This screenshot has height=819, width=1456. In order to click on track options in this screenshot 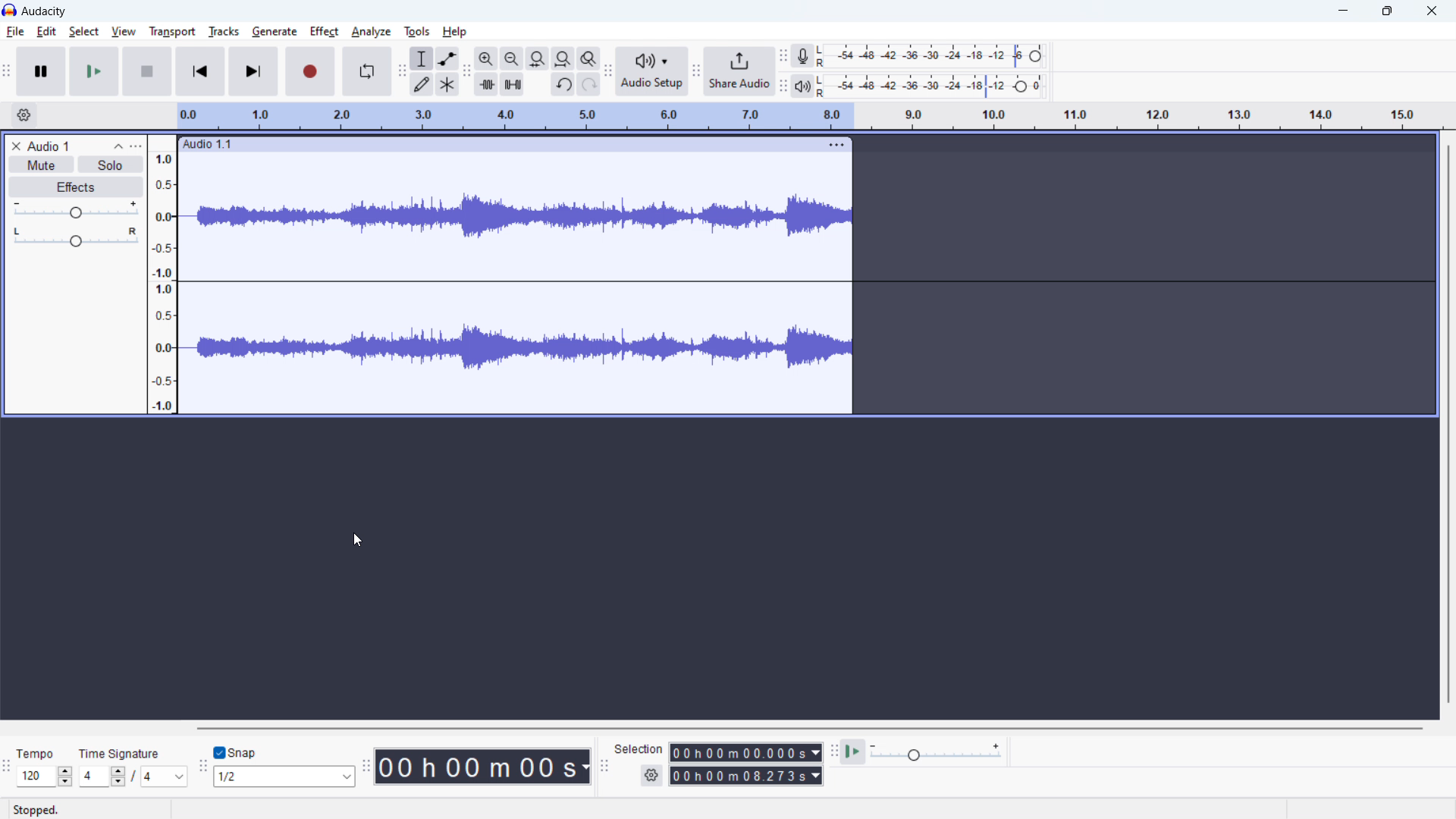, I will do `click(836, 144)`.